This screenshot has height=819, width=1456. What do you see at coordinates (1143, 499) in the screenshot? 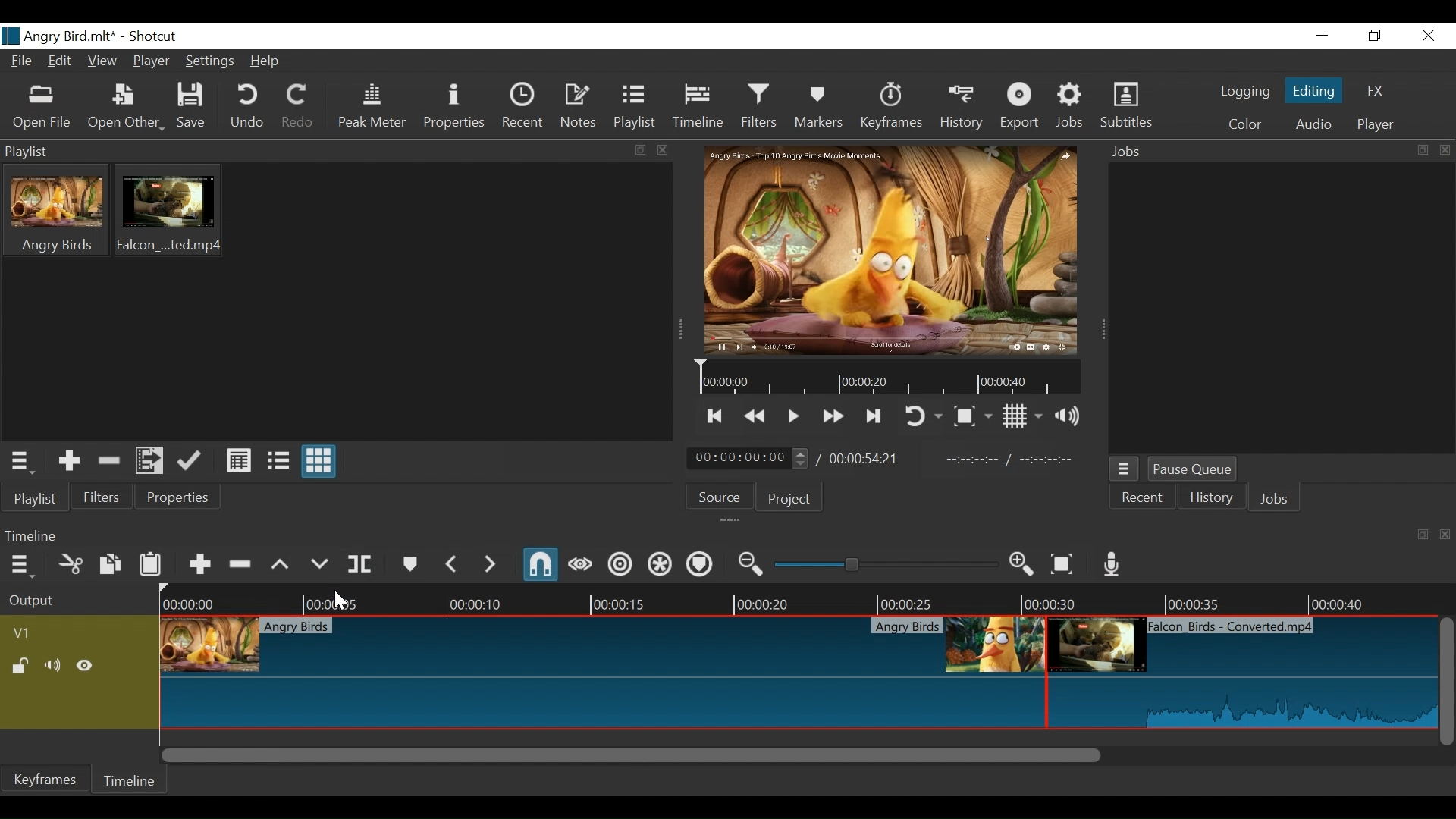
I see `Recent` at bounding box center [1143, 499].